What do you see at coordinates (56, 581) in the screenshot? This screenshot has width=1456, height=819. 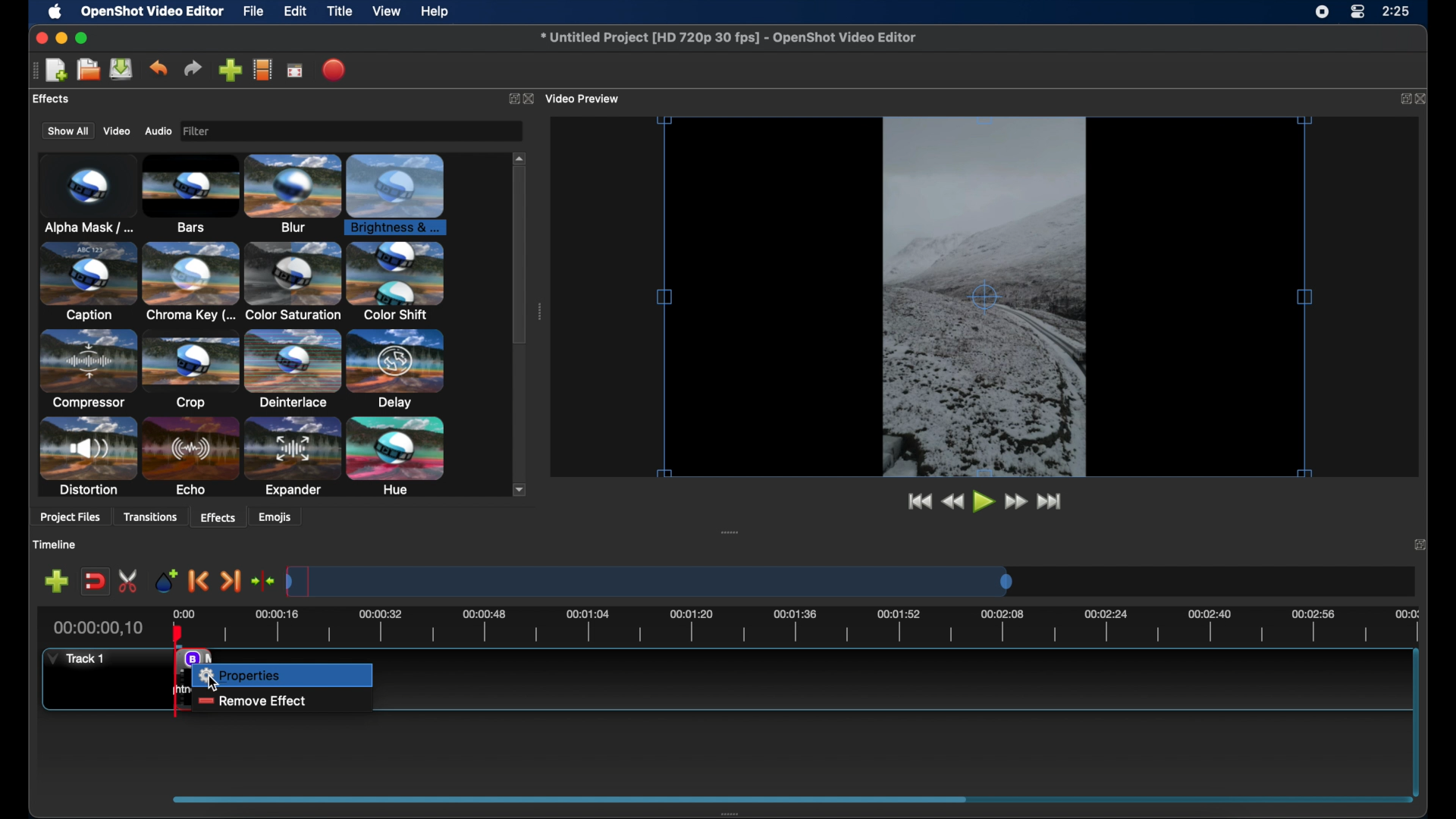 I see `add track` at bounding box center [56, 581].